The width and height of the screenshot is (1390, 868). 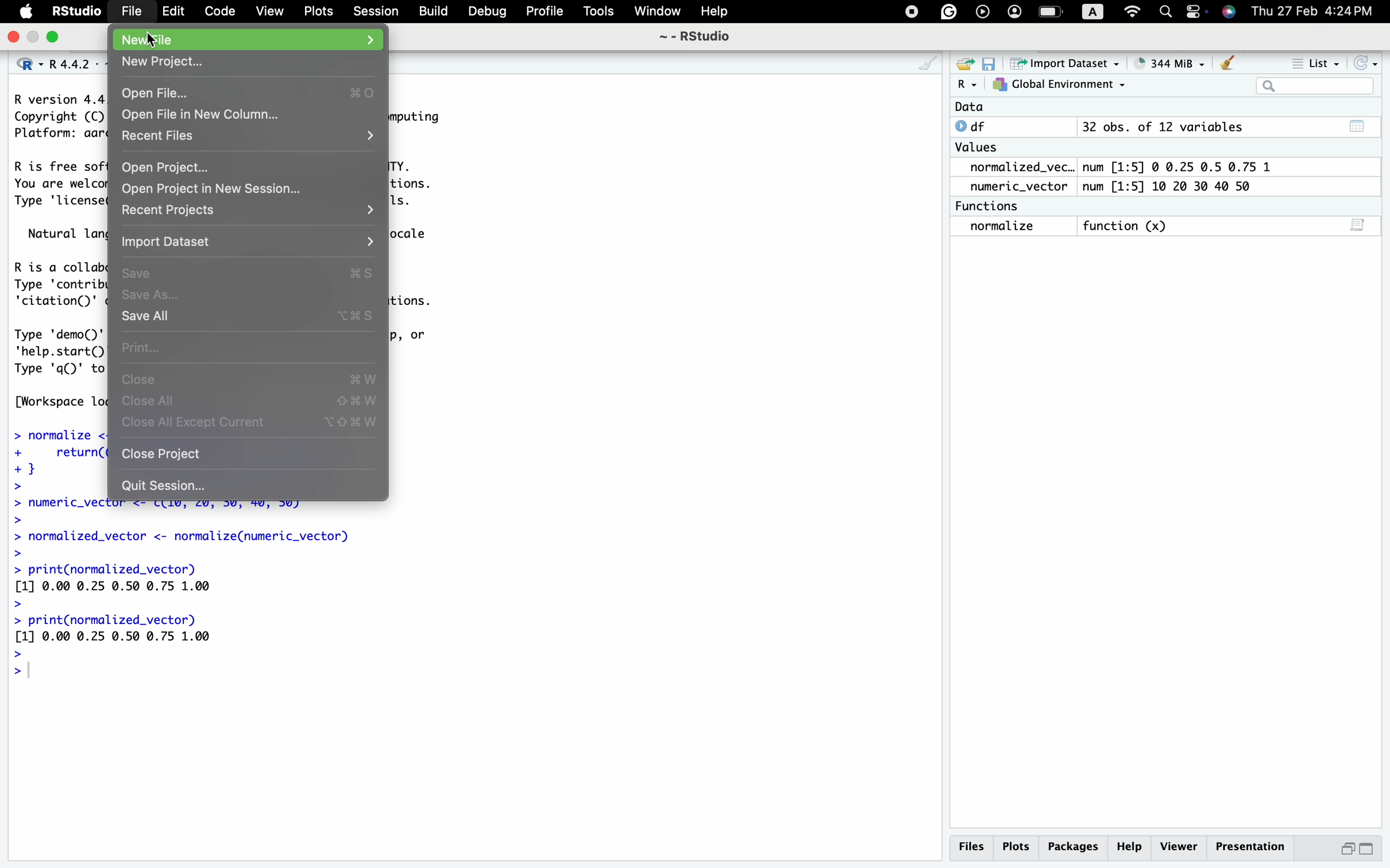 What do you see at coordinates (74, 64) in the screenshot?
I see `R 4.4.2 . ~/` at bounding box center [74, 64].